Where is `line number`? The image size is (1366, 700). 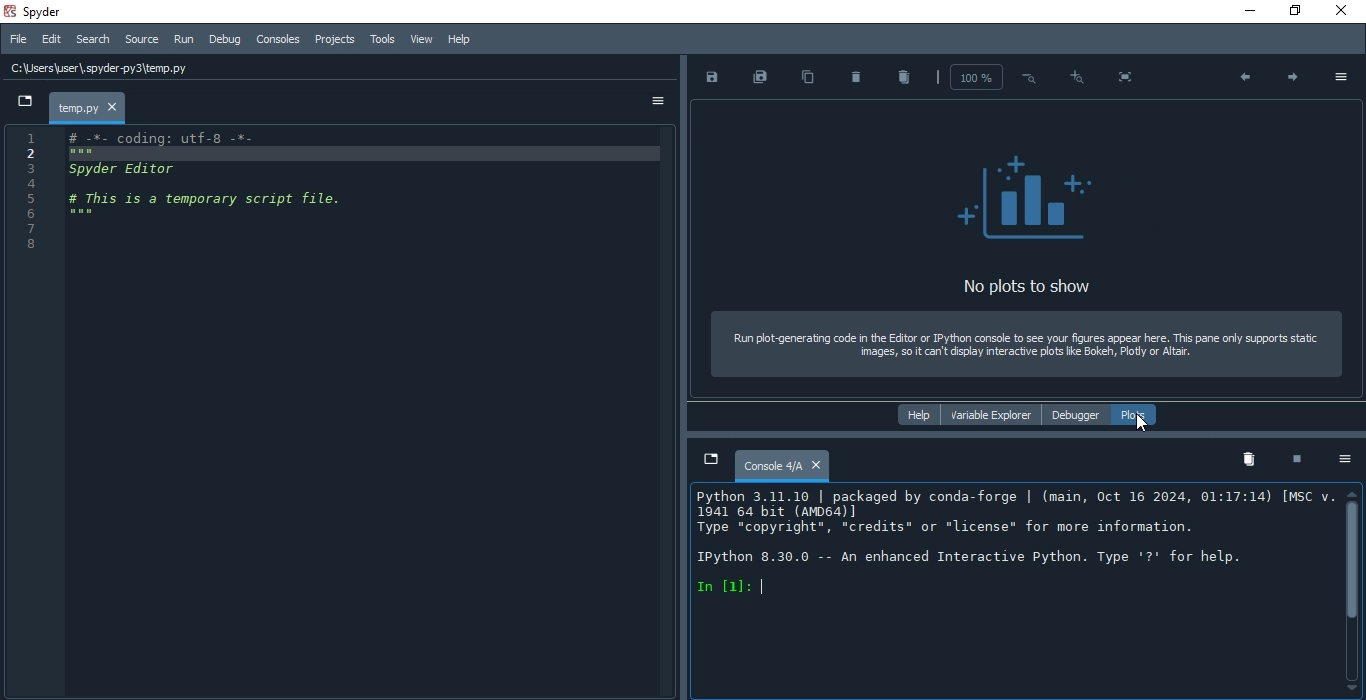
line number is located at coordinates (31, 412).